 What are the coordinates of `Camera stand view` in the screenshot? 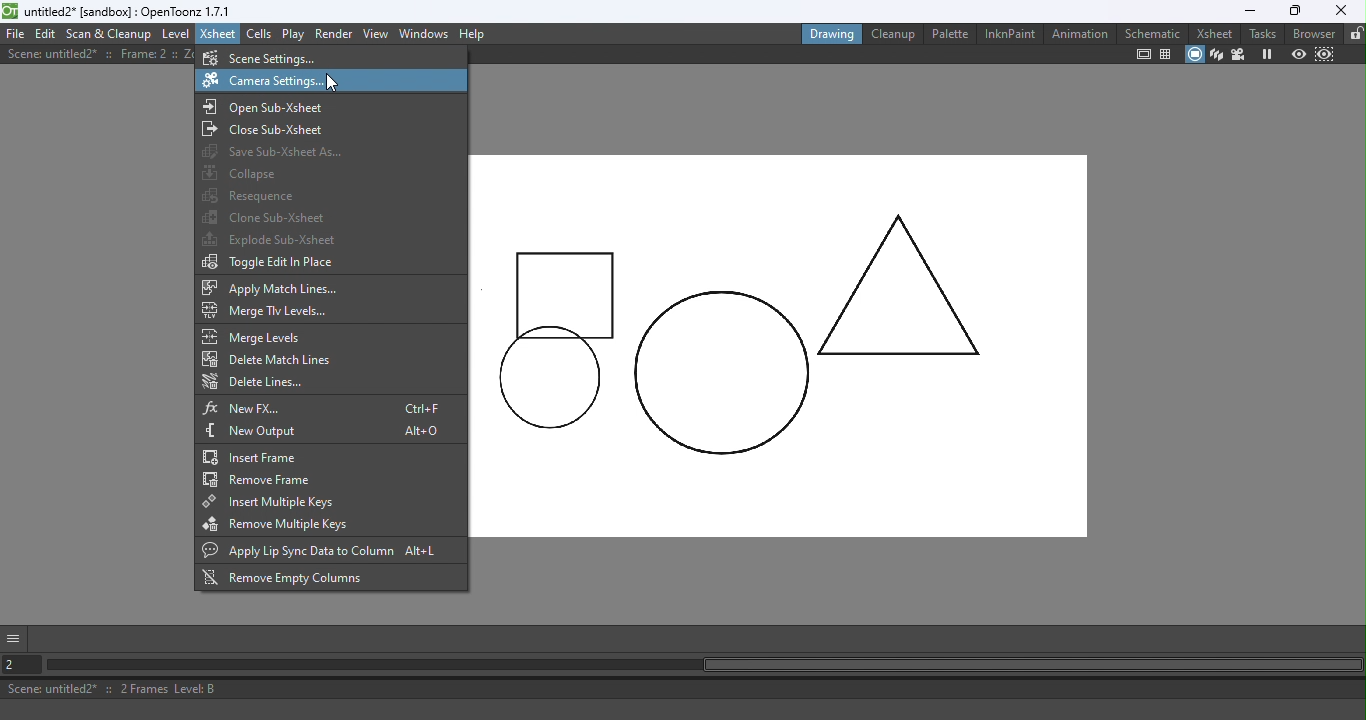 It's located at (1193, 55).